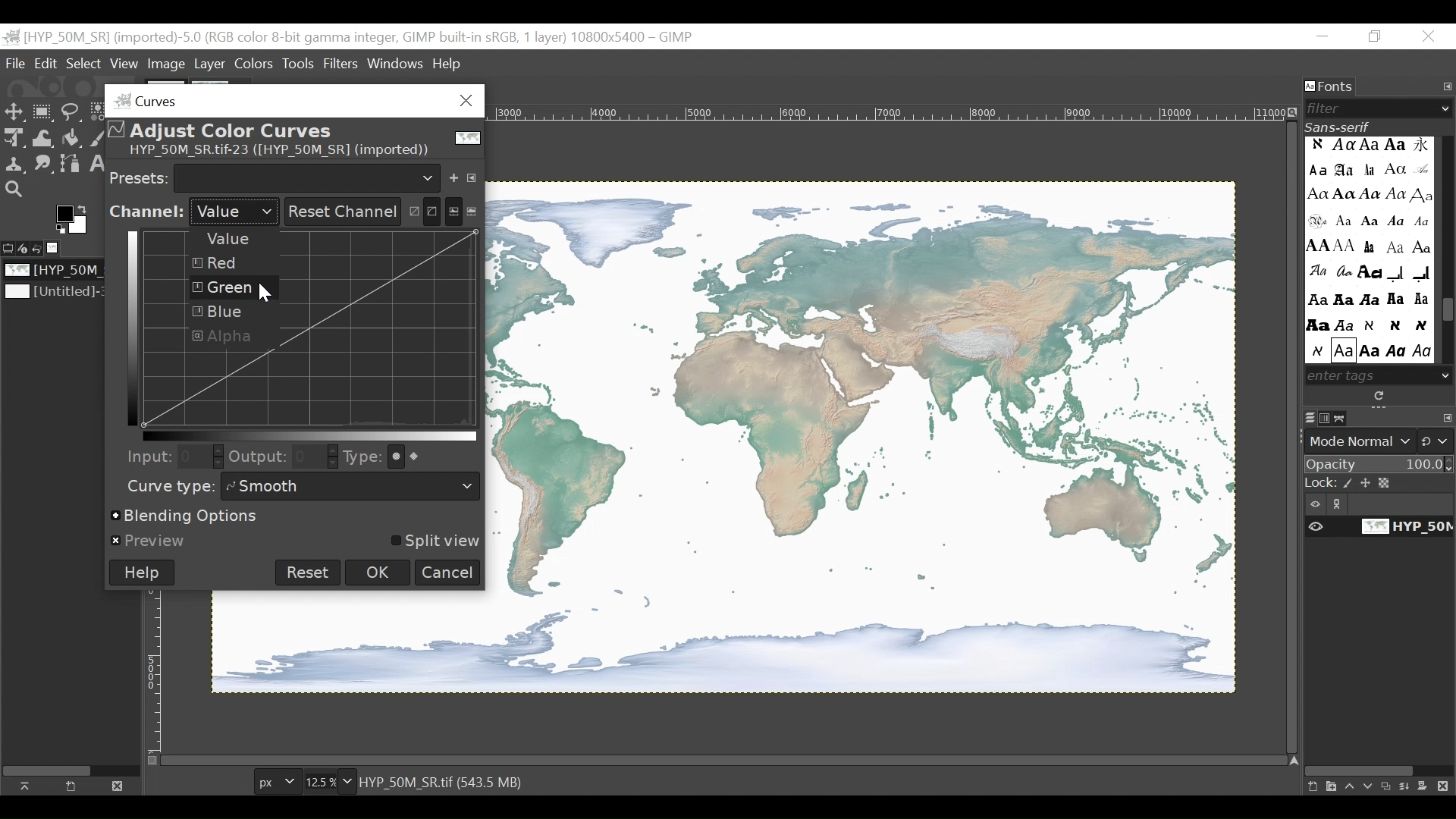 This screenshot has height=819, width=1456. What do you see at coordinates (222, 287) in the screenshot?
I see `Green` at bounding box center [222, 287].